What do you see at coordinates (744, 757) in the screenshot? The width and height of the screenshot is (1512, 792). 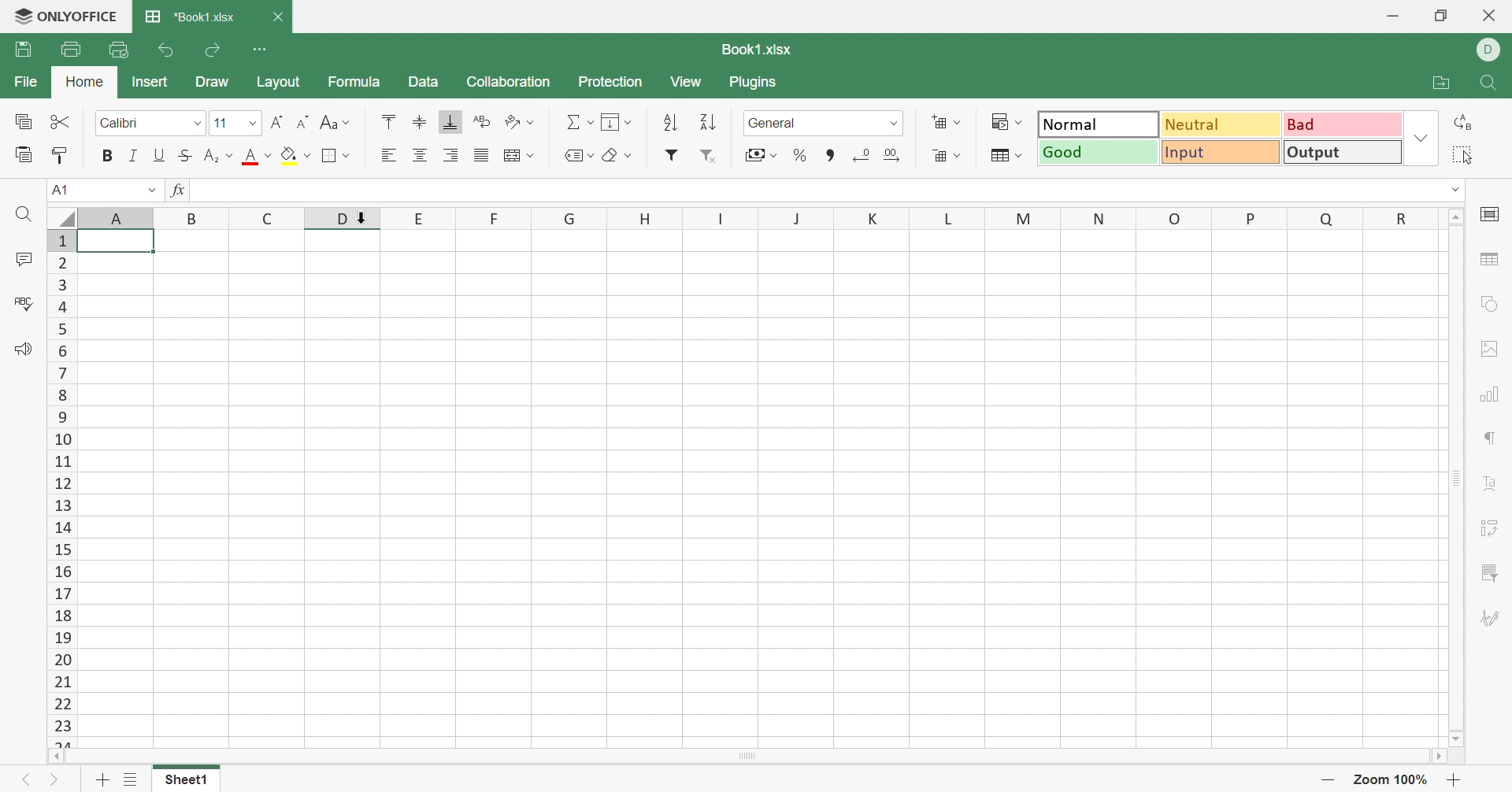 I see `Scroll Bar` at bounding box center [744, 757].